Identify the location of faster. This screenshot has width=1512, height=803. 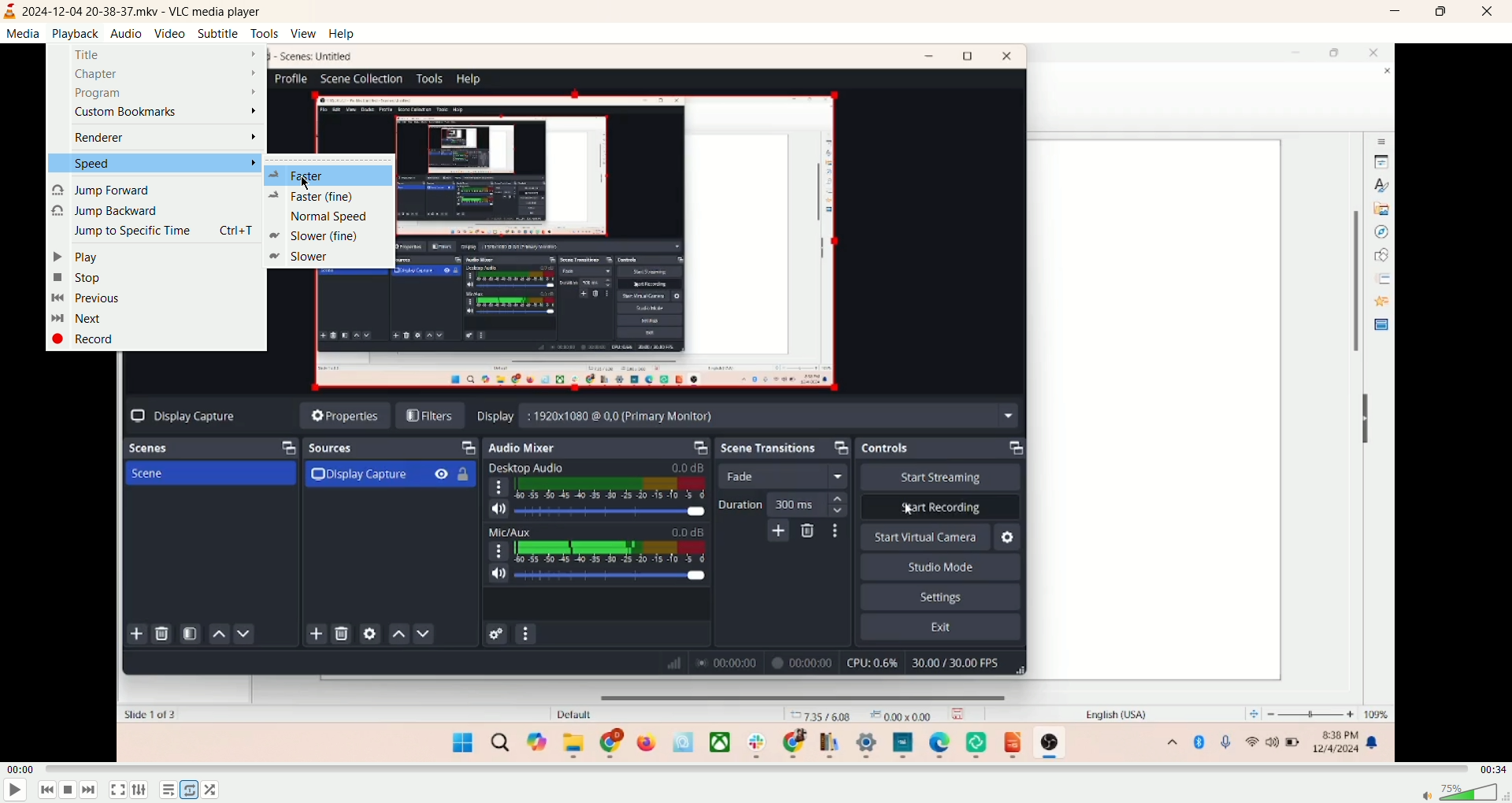
(318, 196).